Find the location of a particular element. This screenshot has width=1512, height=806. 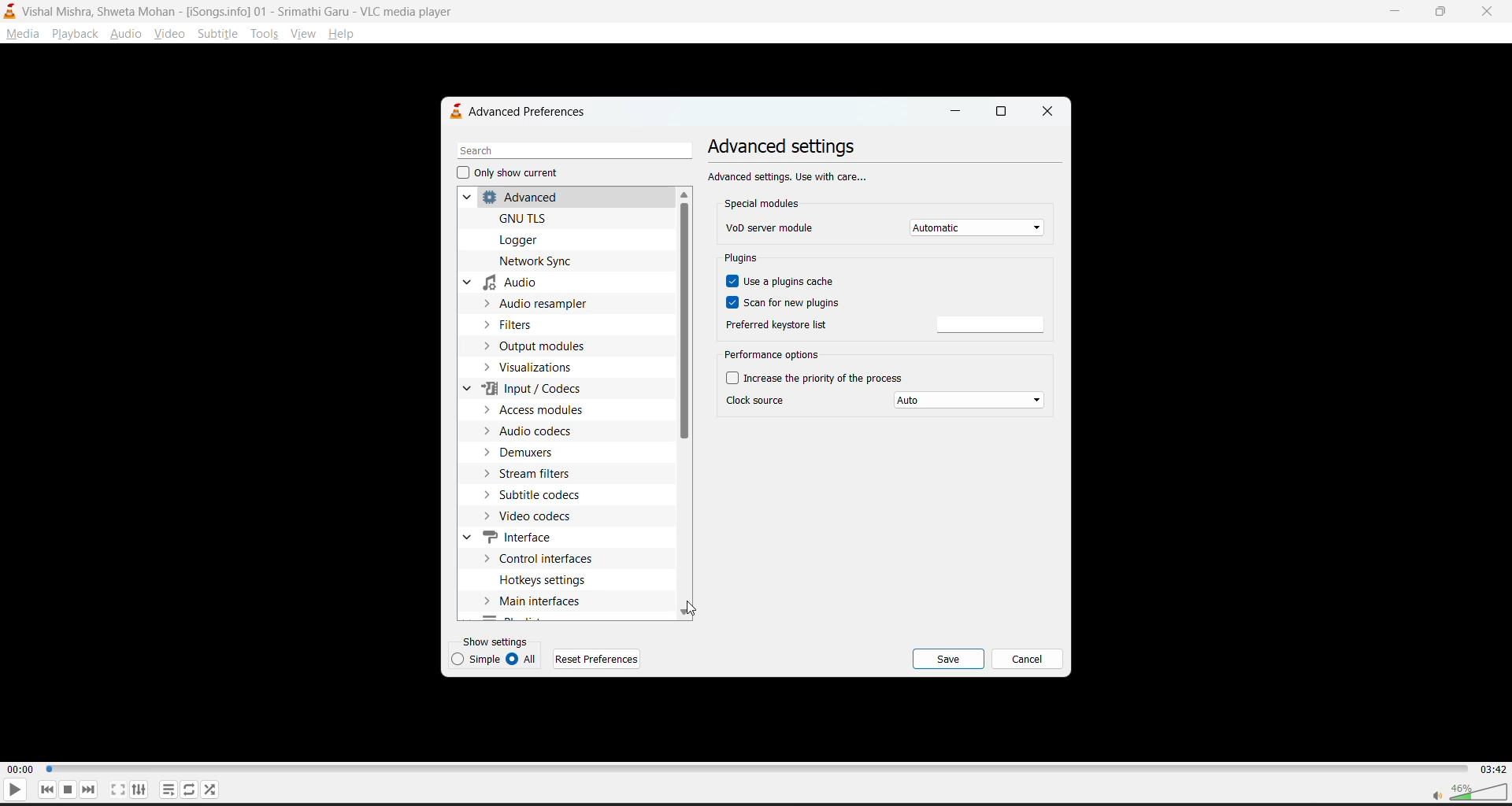

maximize is located at coordinates (1444, 12).